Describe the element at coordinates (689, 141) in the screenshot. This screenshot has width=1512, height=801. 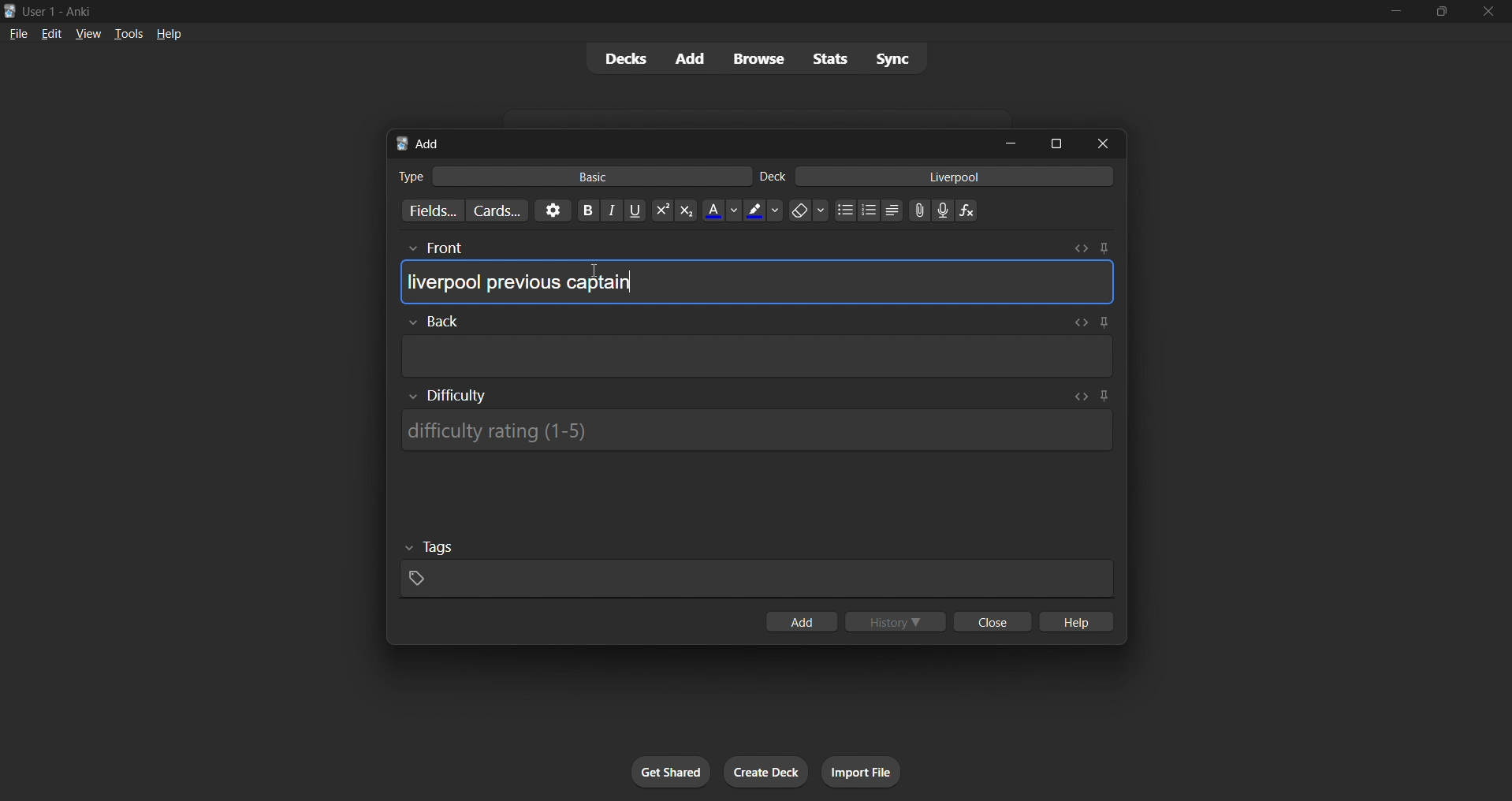
I see `add card title bar` at that location.